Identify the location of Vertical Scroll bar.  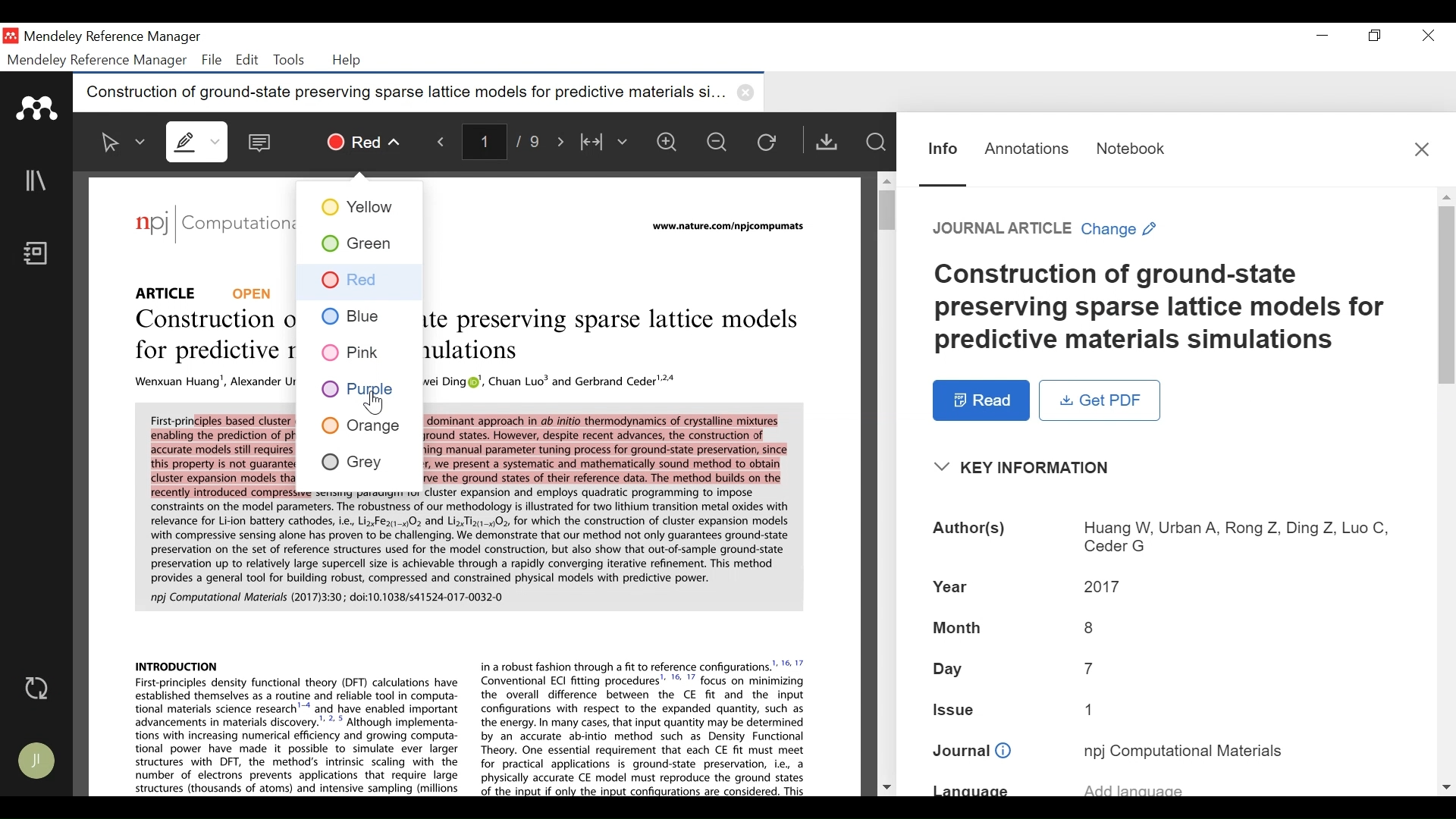
(1447, 299).